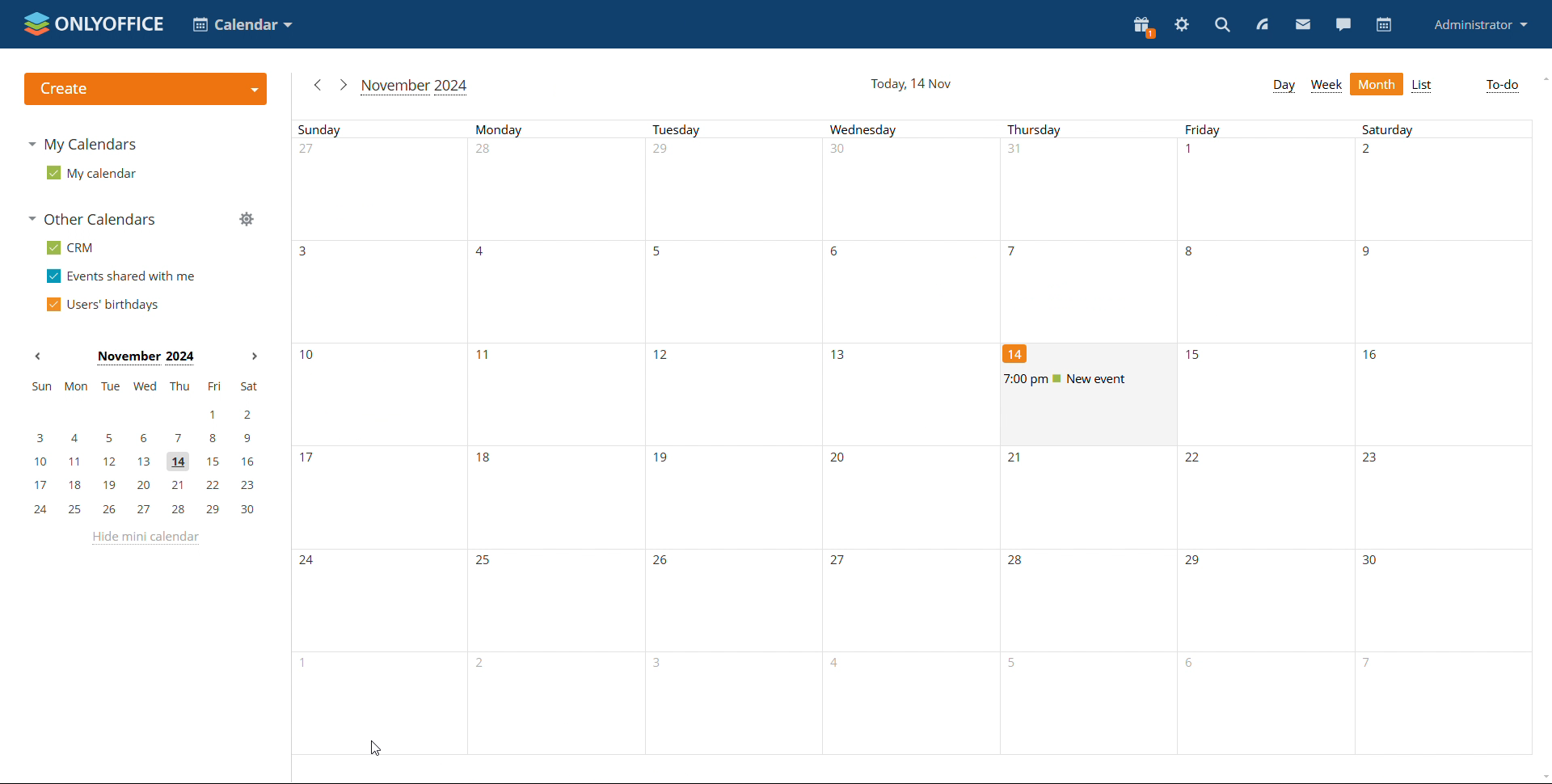 Image resolution: width=1552 pixels, height=784 pixels. Describe the element at coordinates (1015, 251) in the screenshot. I see `number` at that location.